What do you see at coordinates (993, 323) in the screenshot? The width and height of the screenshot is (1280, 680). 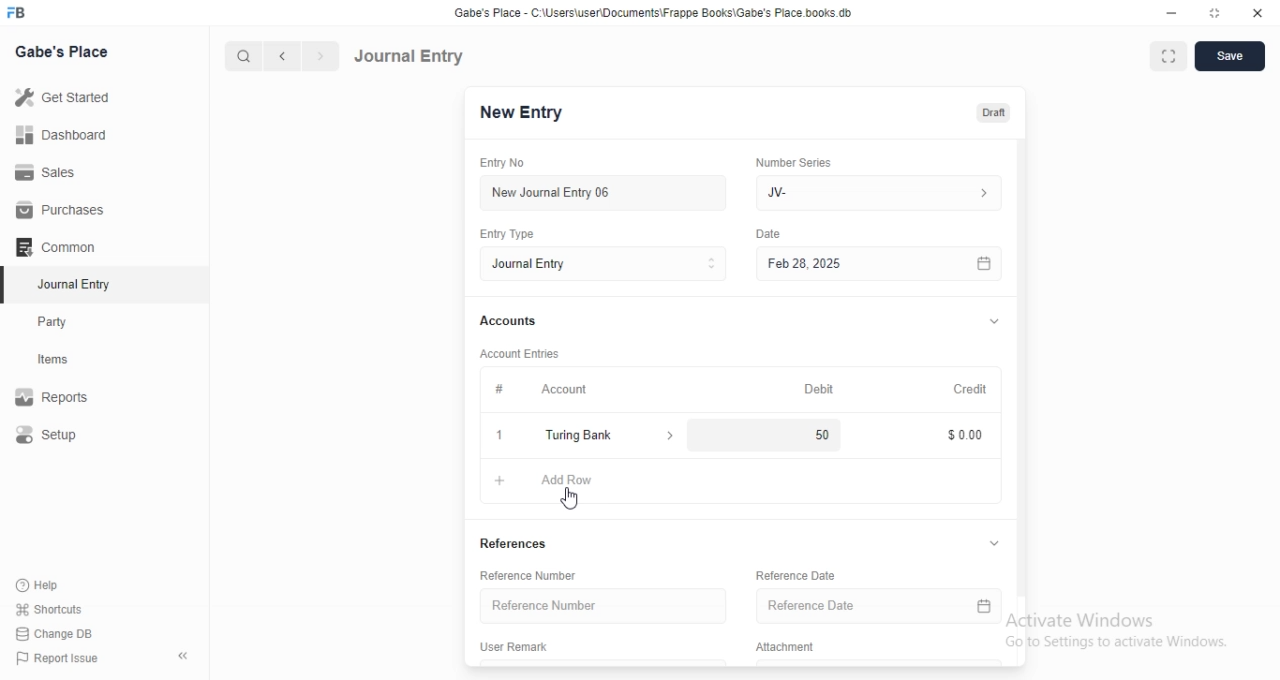 I see `collapse` at bounding box center [993, 323].